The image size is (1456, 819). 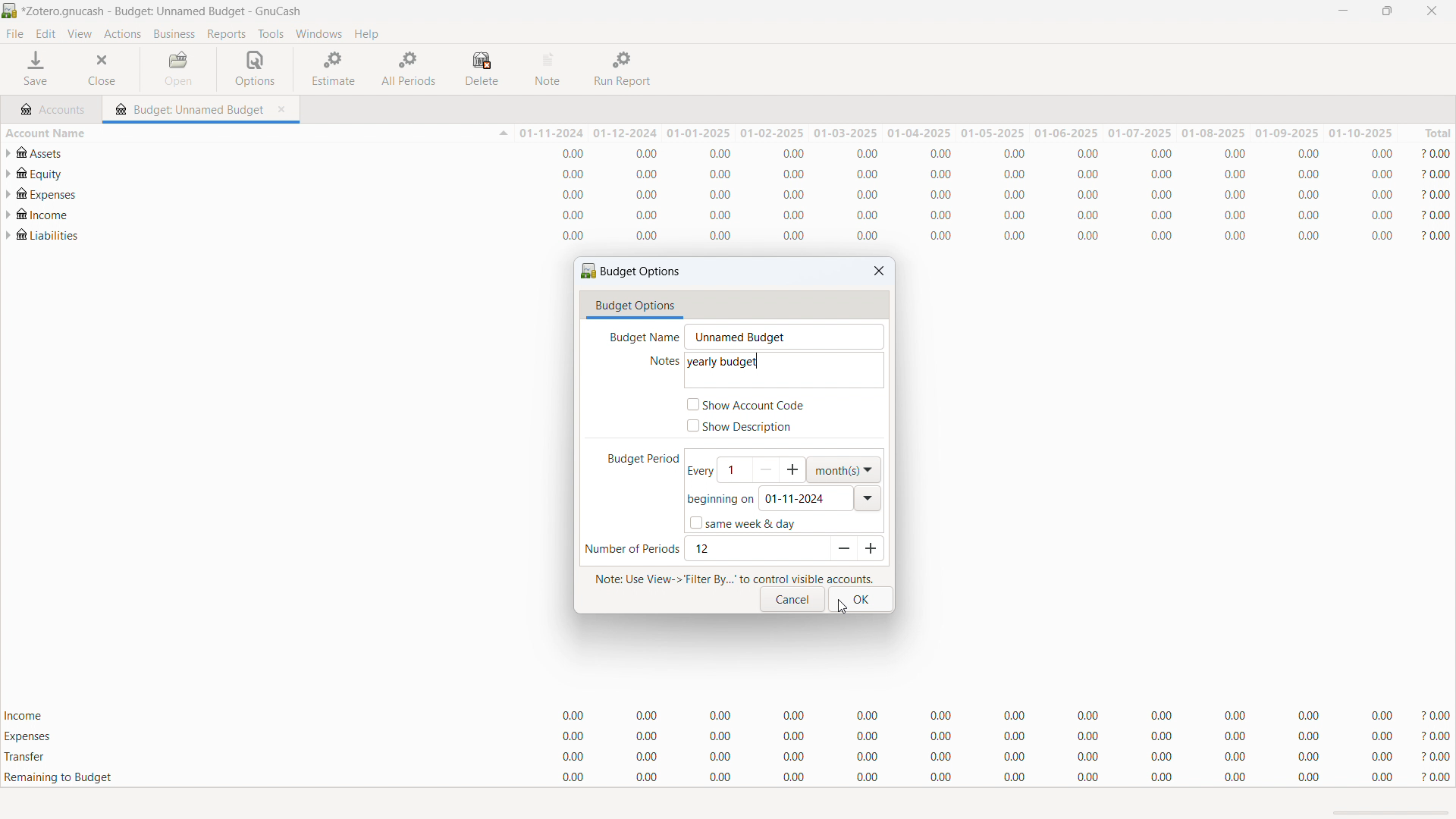 I want to click on cancel, so click(x=792, y=600).